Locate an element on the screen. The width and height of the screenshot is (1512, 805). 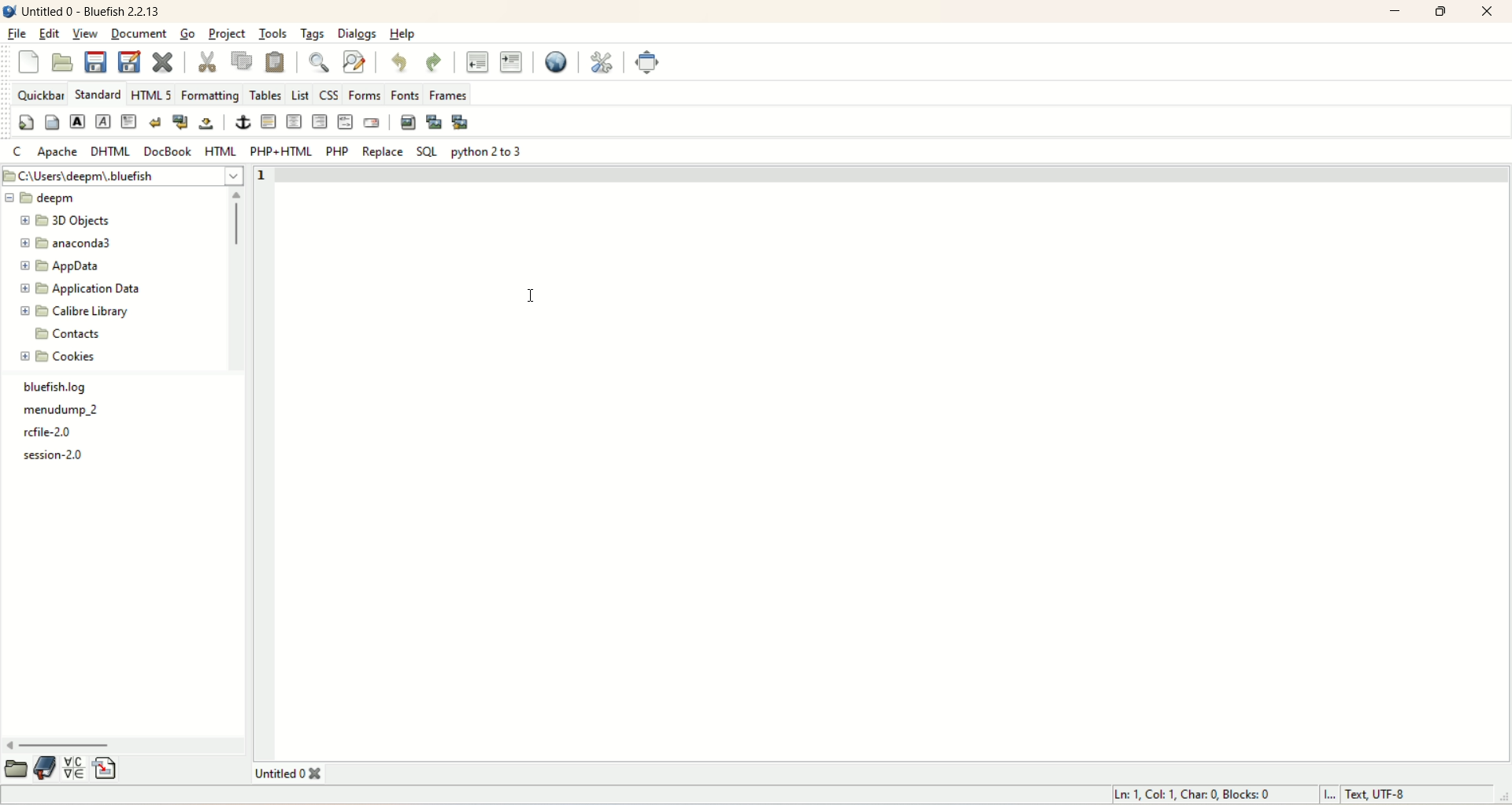
maximize is located at coordinates (1444, 12).